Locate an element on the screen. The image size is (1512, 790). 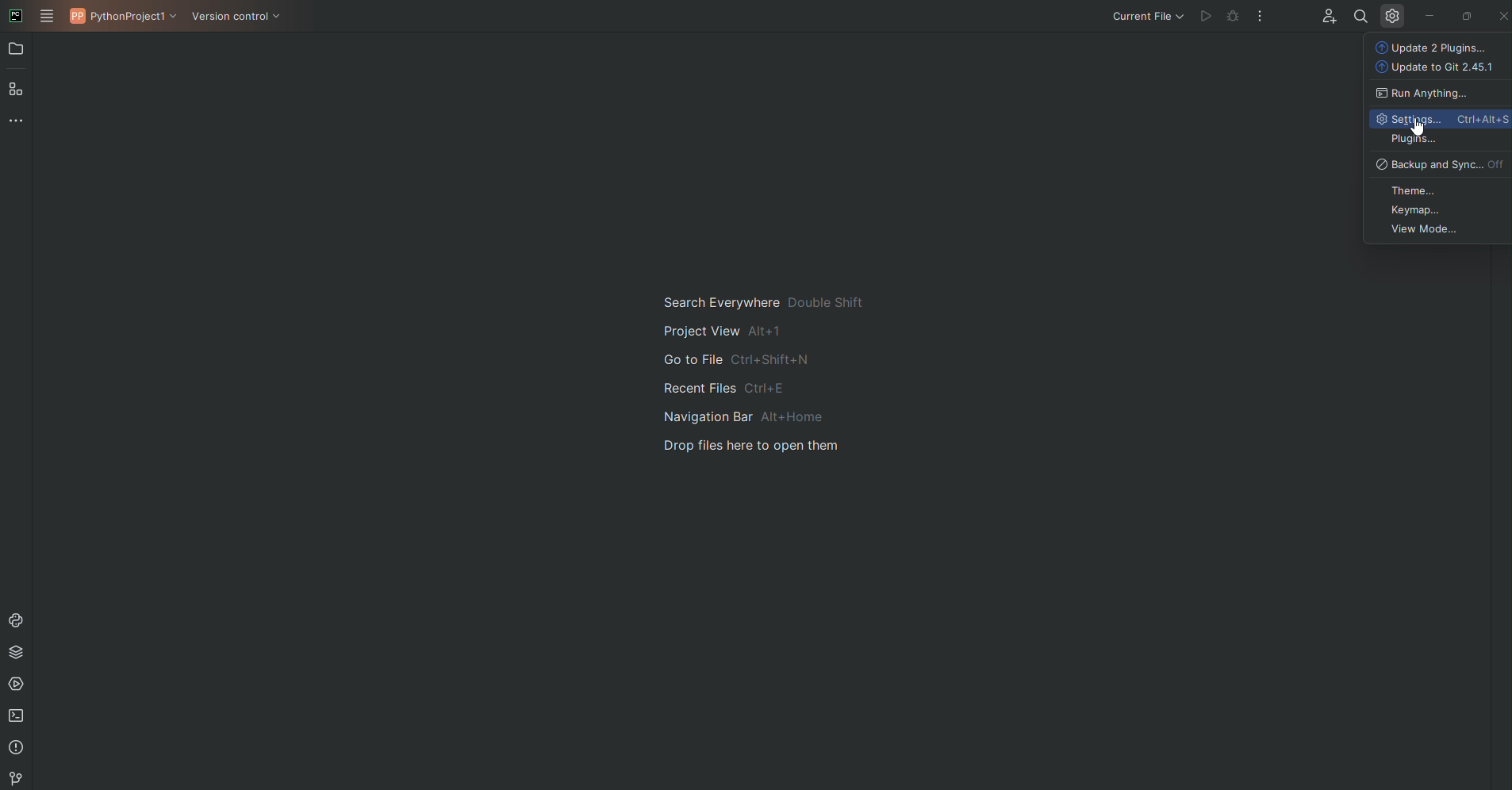
Version Control is located at coordinates (12, 779).